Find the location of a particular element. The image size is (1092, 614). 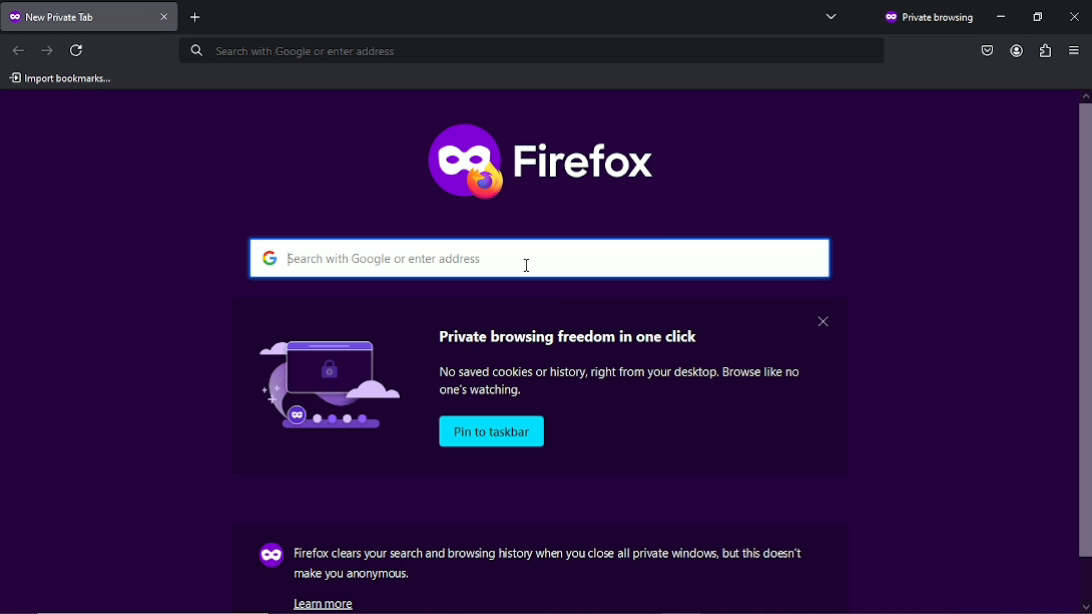

list all tabs is located at coordinates (832, 16).